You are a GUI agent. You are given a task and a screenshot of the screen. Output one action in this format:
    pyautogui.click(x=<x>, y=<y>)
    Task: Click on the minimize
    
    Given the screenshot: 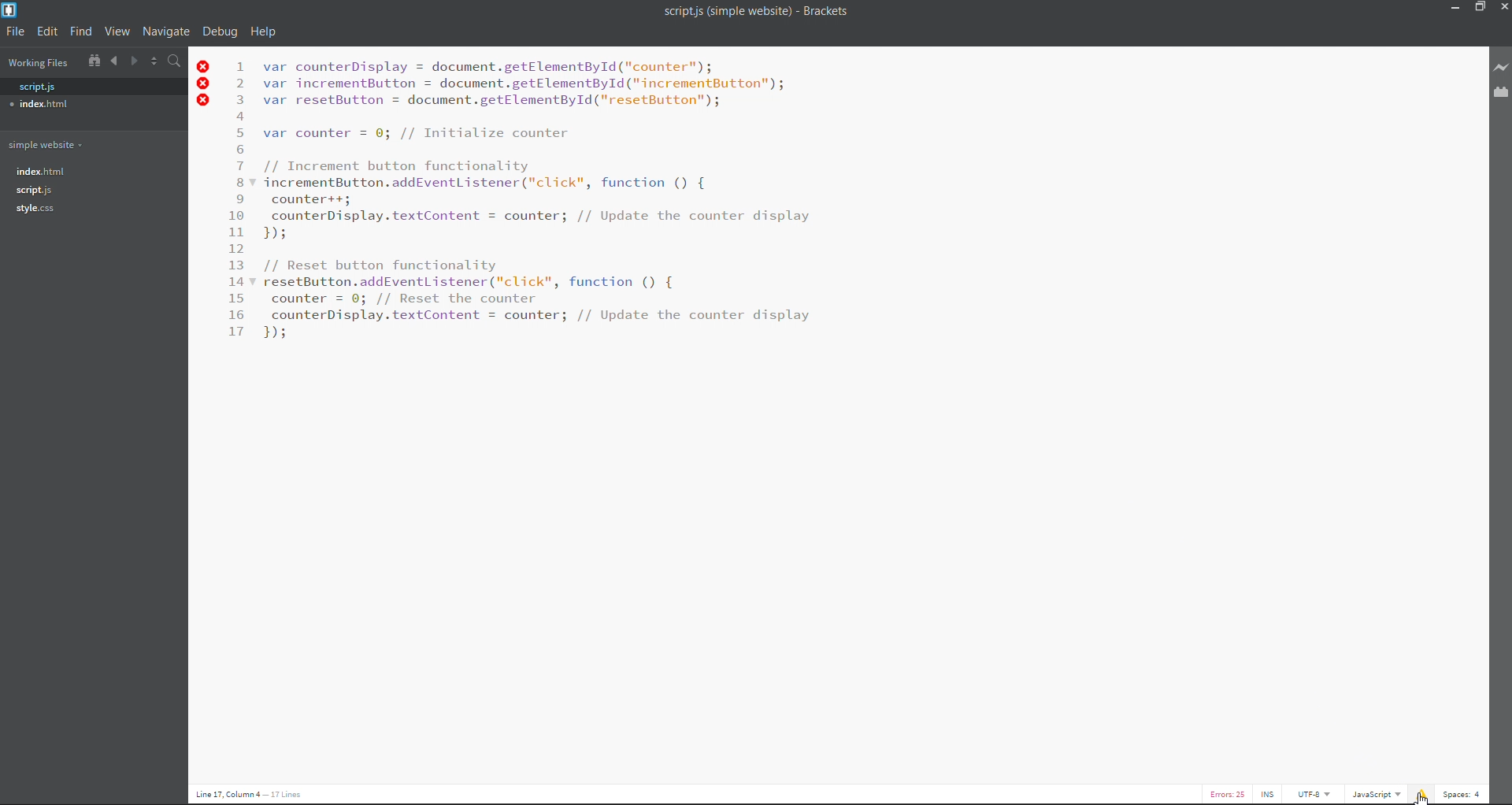 What is the action you would take?
    pyautogui.click(x=1453, y=11)
    